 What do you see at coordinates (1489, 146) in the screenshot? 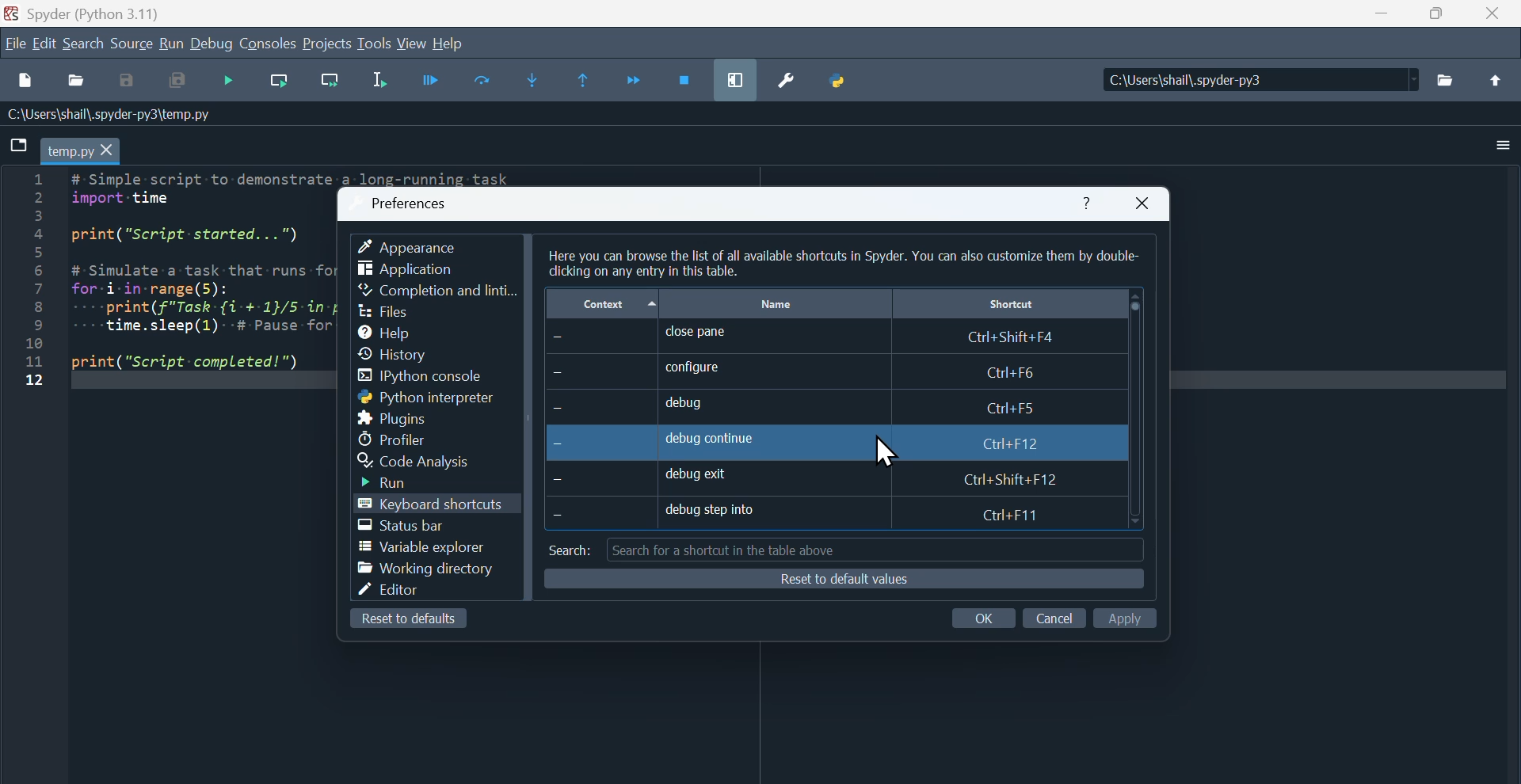
I see `More options` at bounding box center [1489, 146].